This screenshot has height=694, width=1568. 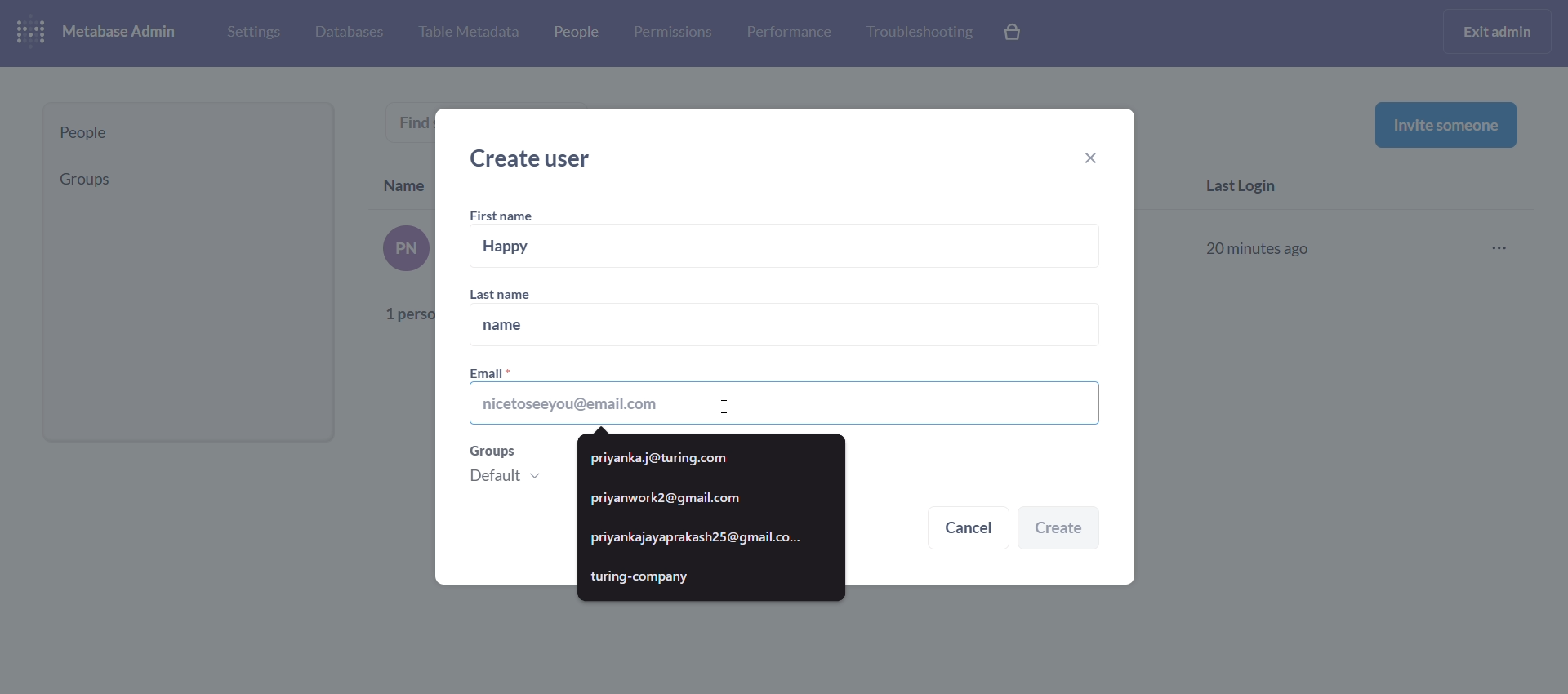 What do you see at coordinates (468, 33) in the screenshot?
I see `table metabase` at bounding box center [468, 33].